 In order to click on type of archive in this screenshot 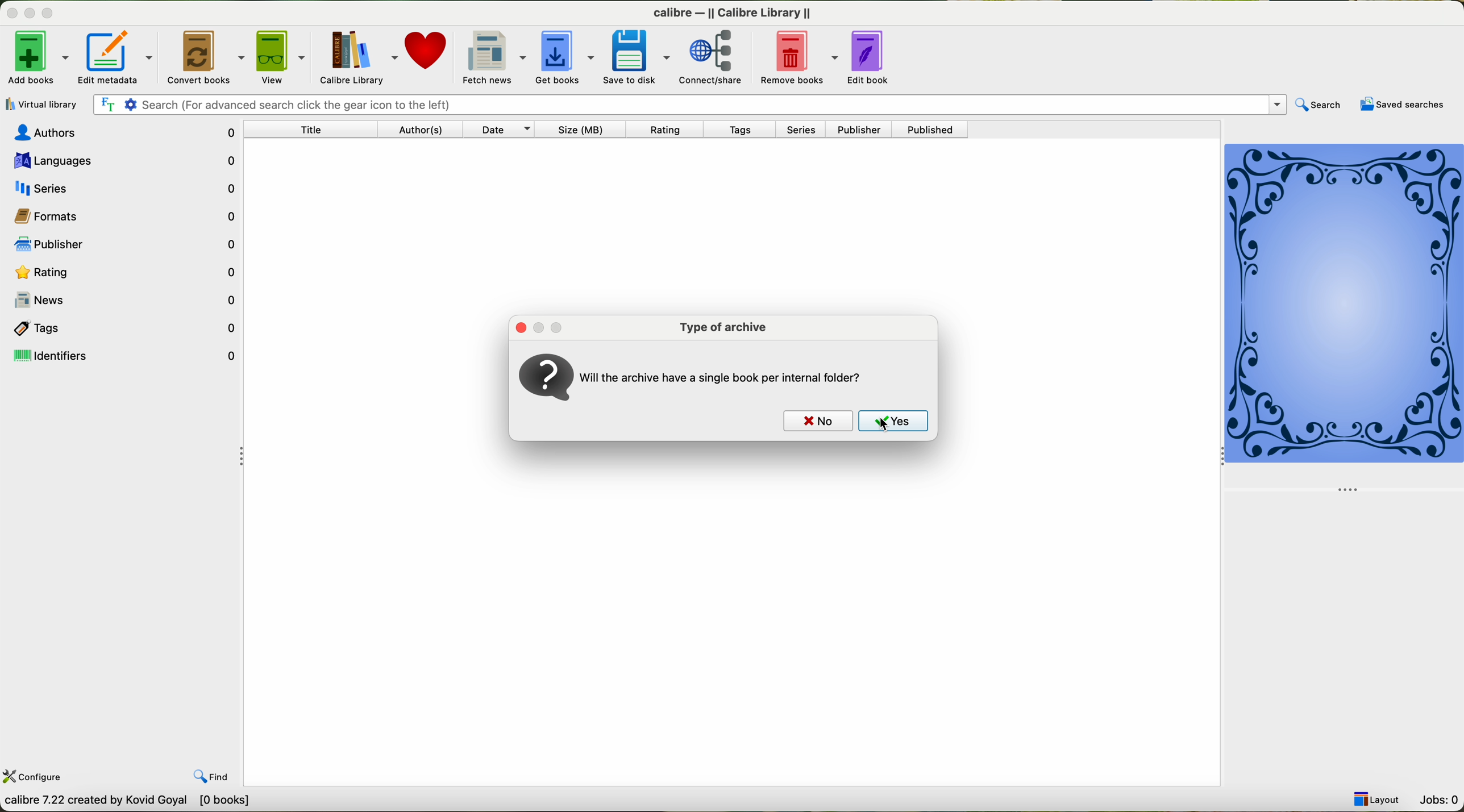, I will do `click(722, 327)`.